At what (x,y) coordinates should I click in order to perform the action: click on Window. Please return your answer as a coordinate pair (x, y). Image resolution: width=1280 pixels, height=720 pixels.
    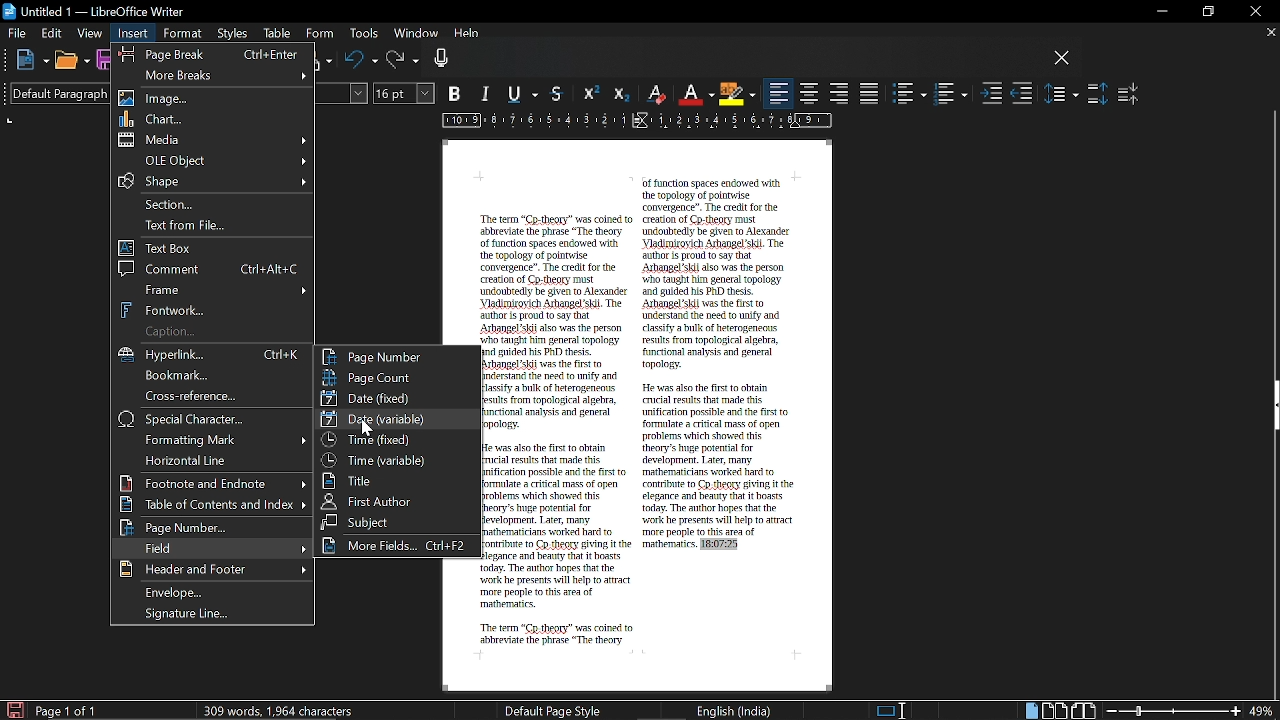
    Looking at the image, I should click on (414, 35).